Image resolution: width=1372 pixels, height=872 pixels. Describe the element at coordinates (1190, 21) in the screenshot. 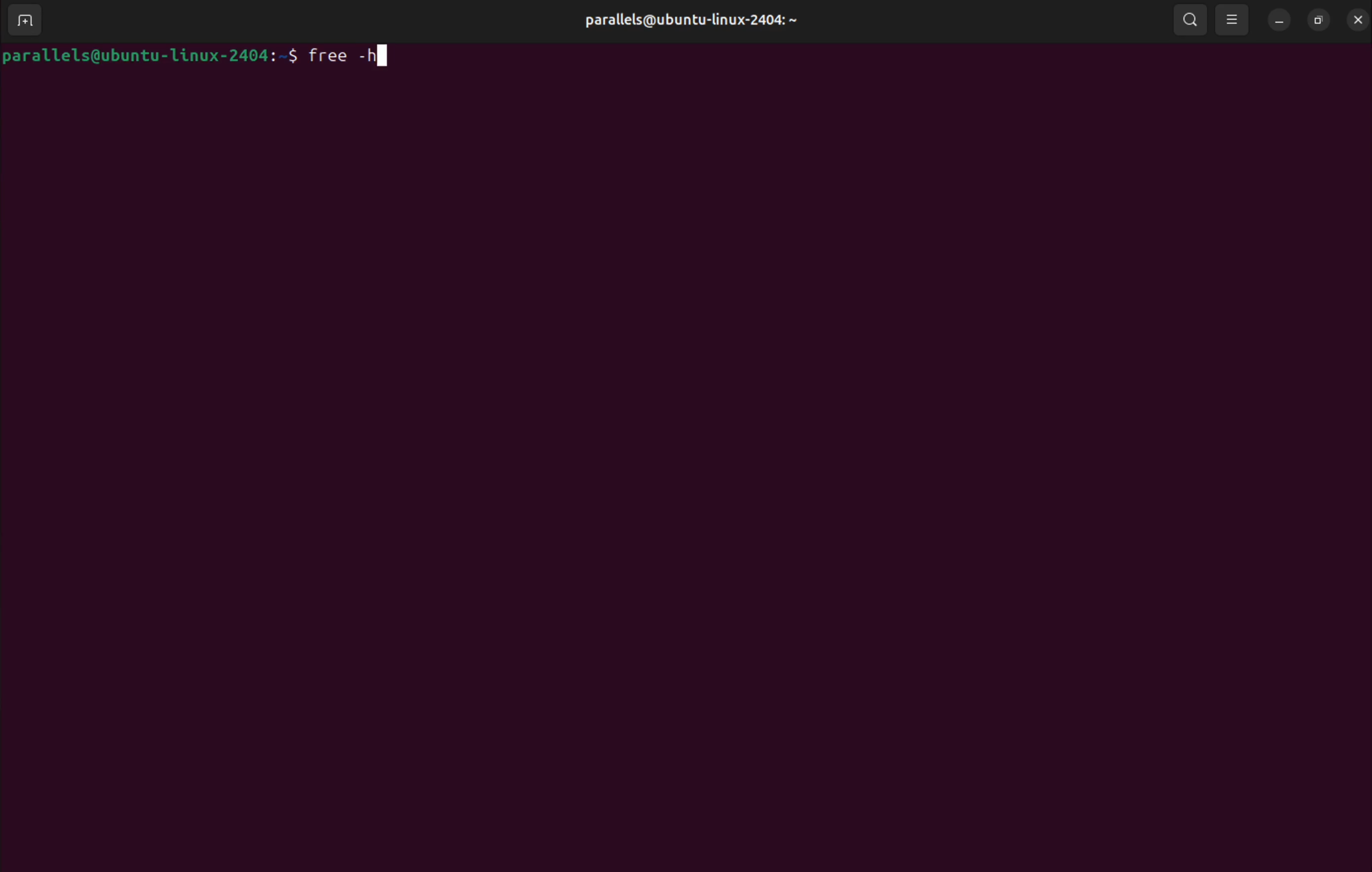

I see `search` at that location.